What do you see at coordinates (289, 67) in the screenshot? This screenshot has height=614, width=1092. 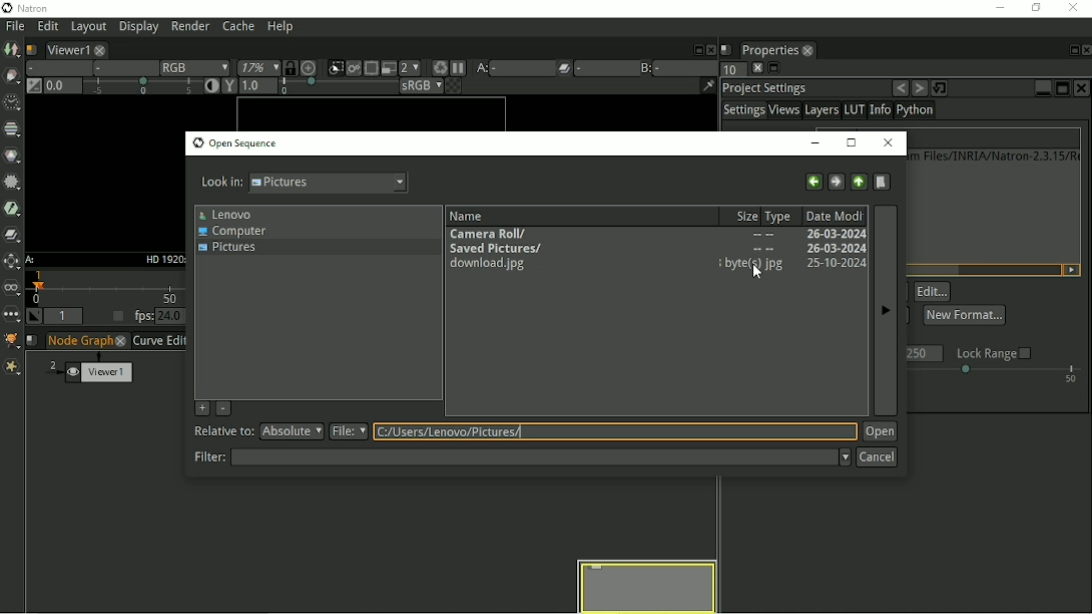 I see `Synchronize` at bounding box center [289, 67].